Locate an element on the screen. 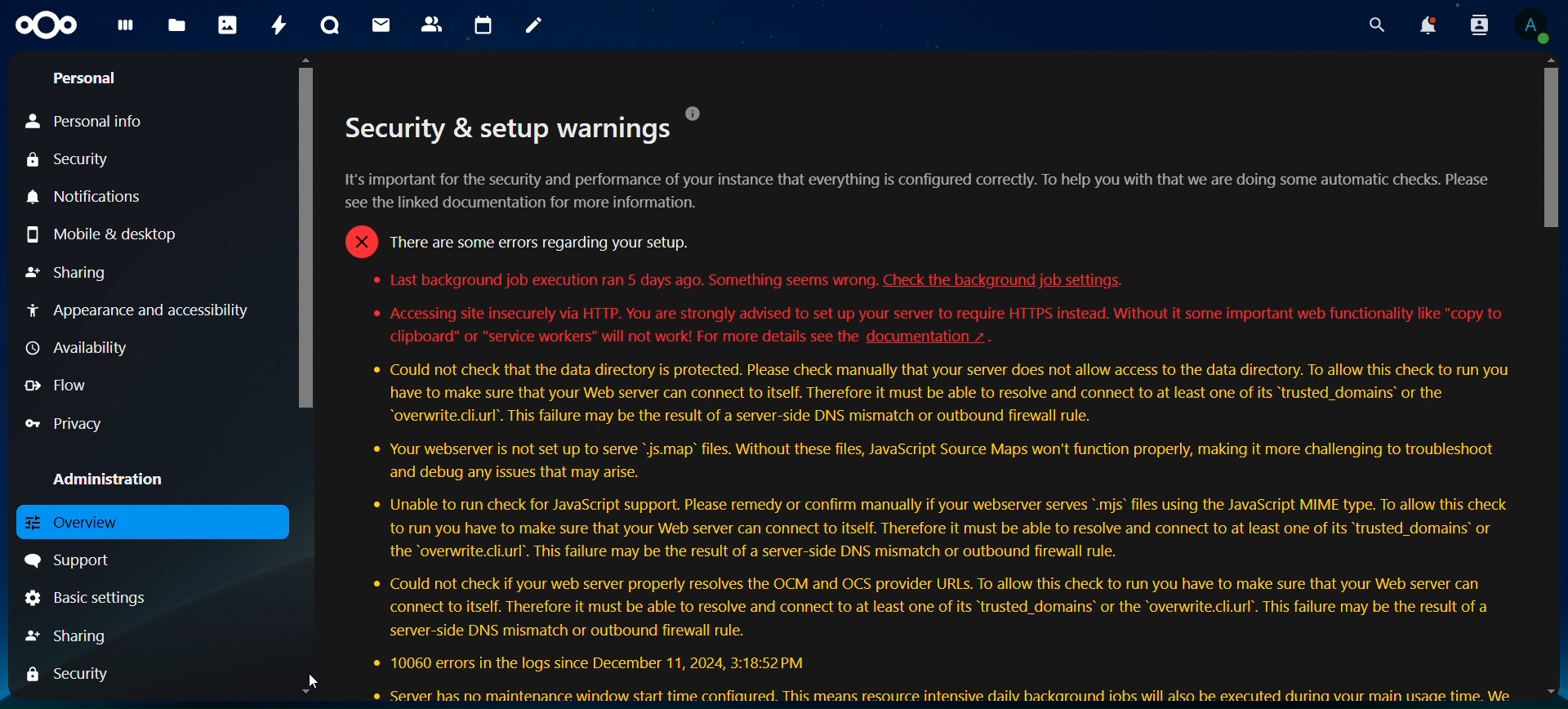  talk is located at coordinates (331, 25).